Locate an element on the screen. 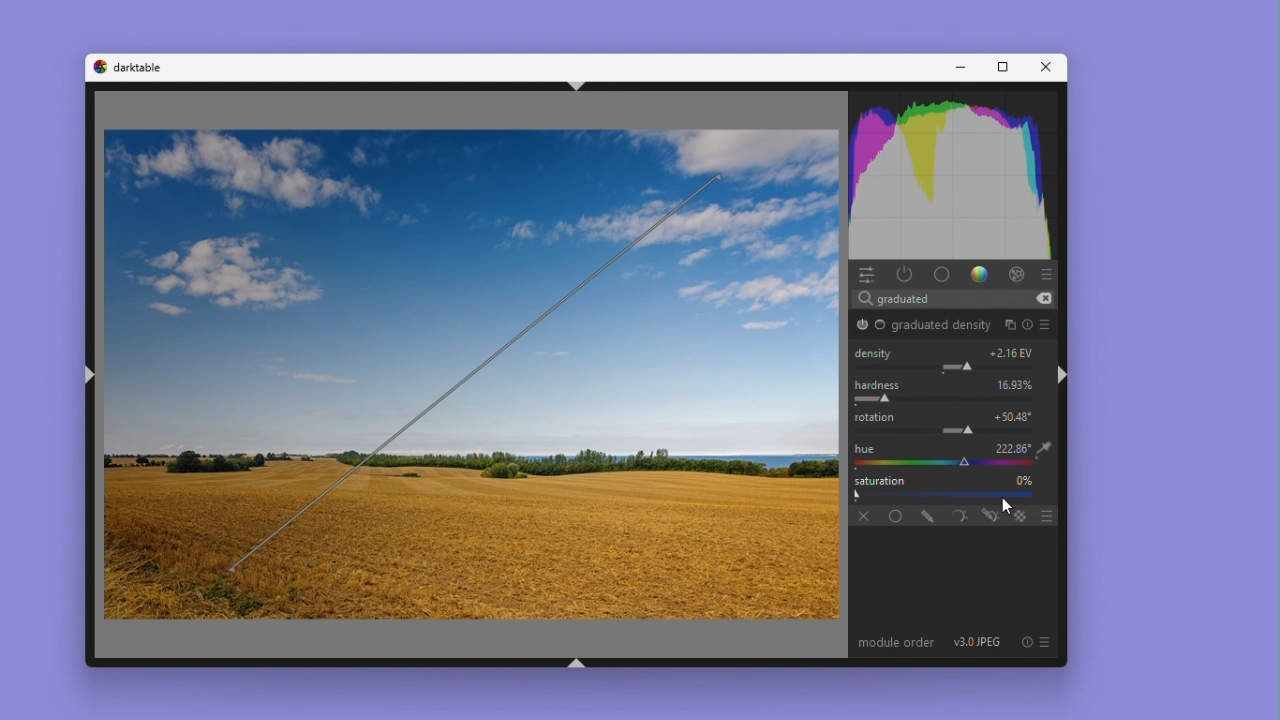  rotation is located at coordinates (877, 417).